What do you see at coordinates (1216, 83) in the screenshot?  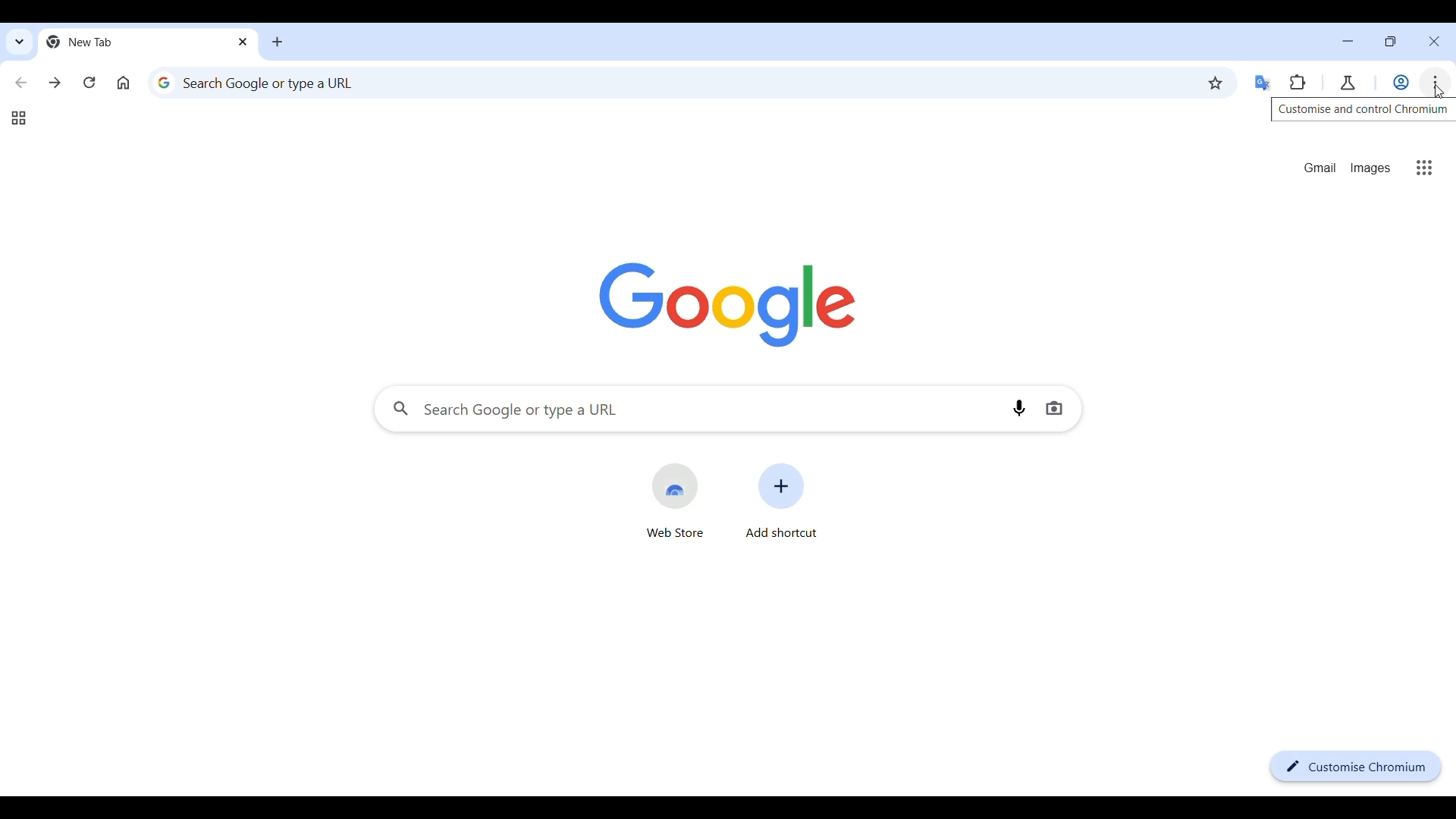 I see `Bookmark this tab` at bounding box center [1216, 83].